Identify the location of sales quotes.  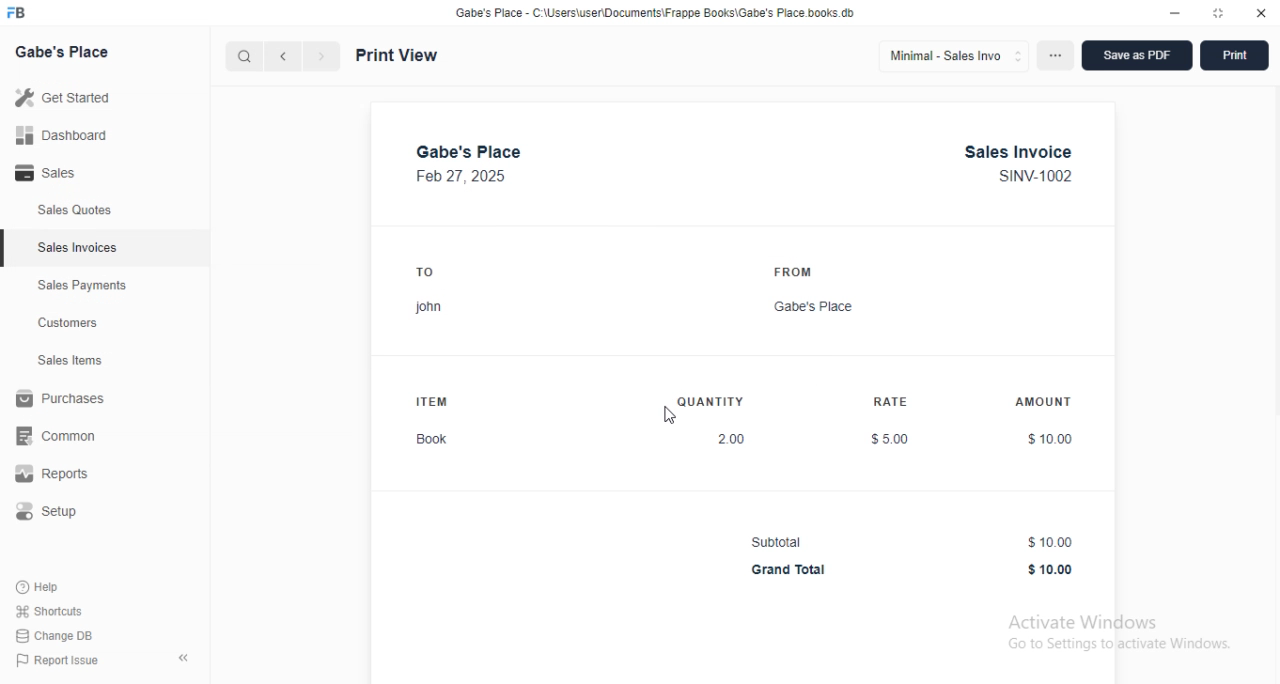
(75, 209).